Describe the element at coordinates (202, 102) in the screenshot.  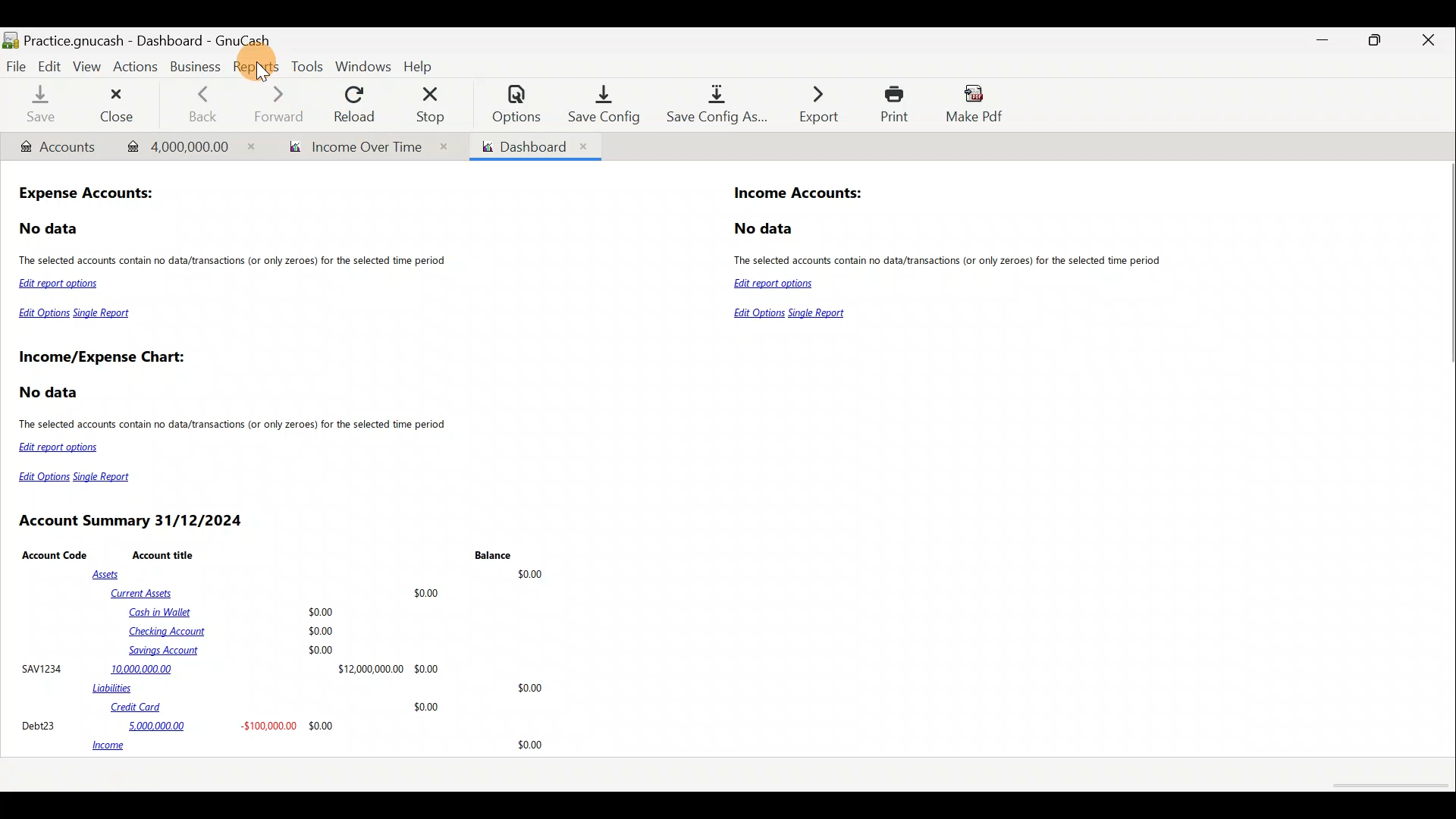
I see `Back` at that location.